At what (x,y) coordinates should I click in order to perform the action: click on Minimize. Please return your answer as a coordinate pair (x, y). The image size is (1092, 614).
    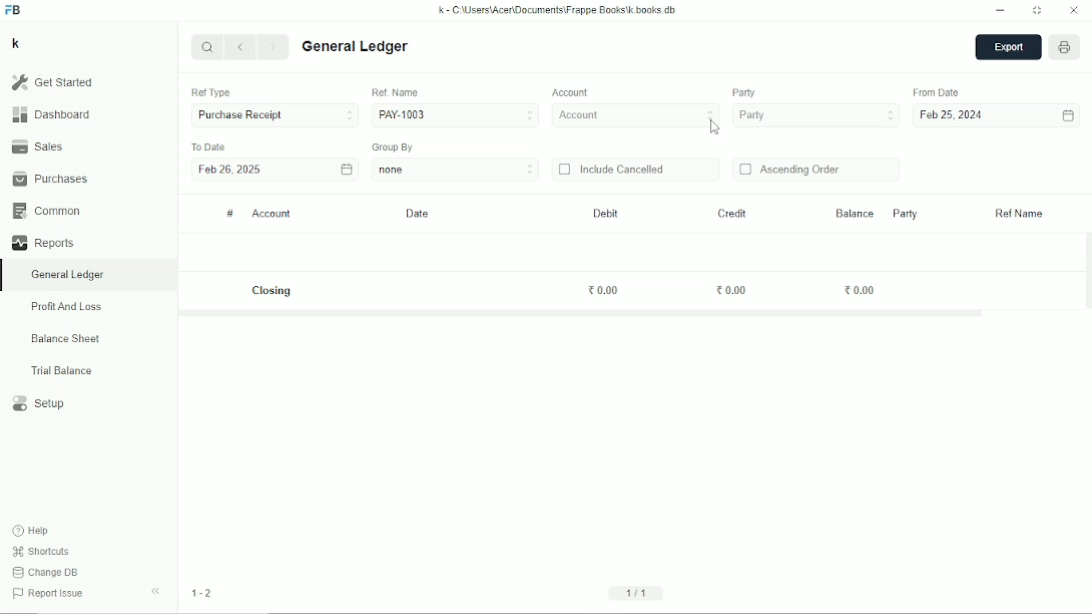
    Looking at the image, I should click on (1001, 11).